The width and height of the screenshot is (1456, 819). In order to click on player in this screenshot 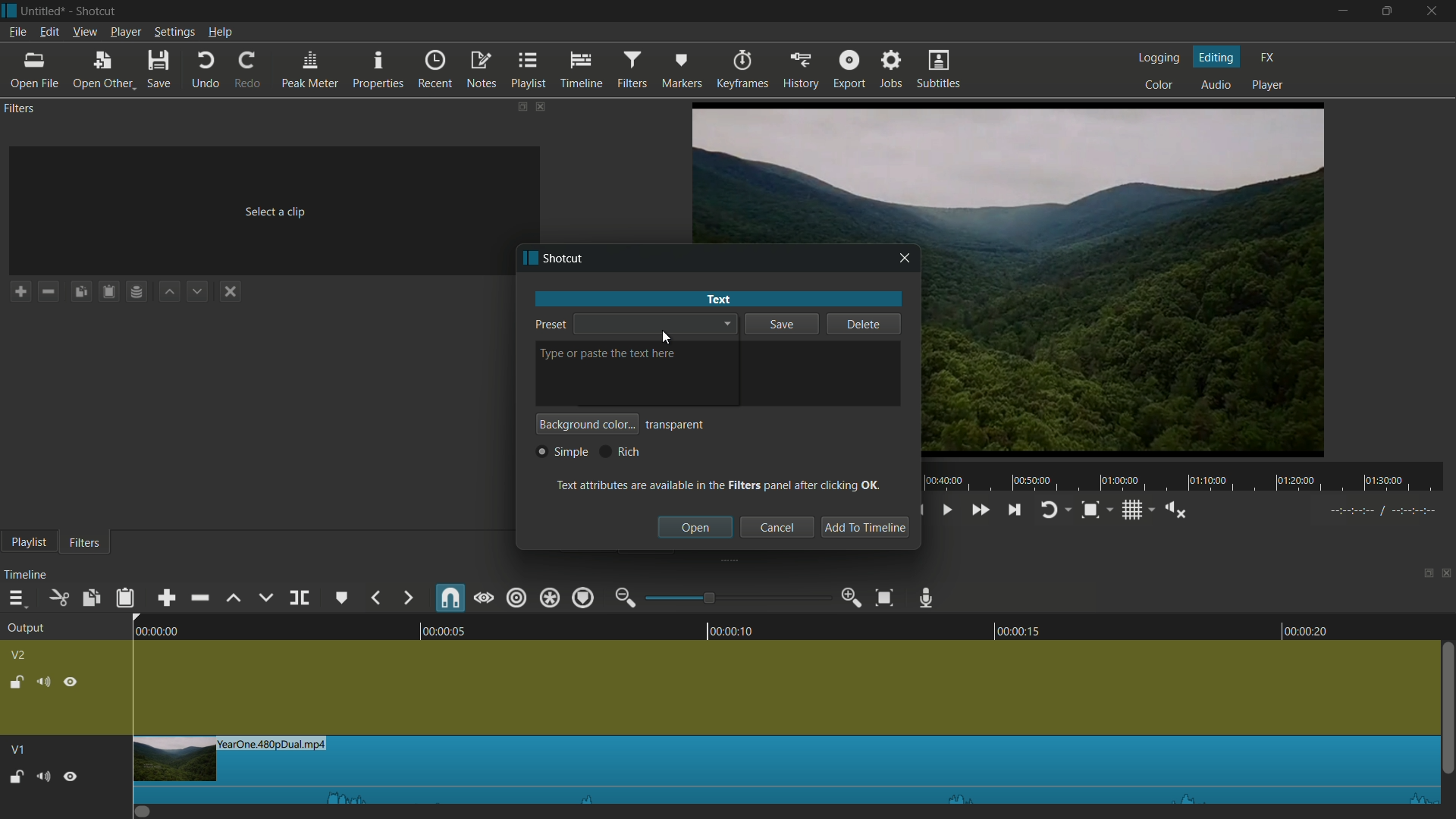, I will do `click(1268, 86)`.